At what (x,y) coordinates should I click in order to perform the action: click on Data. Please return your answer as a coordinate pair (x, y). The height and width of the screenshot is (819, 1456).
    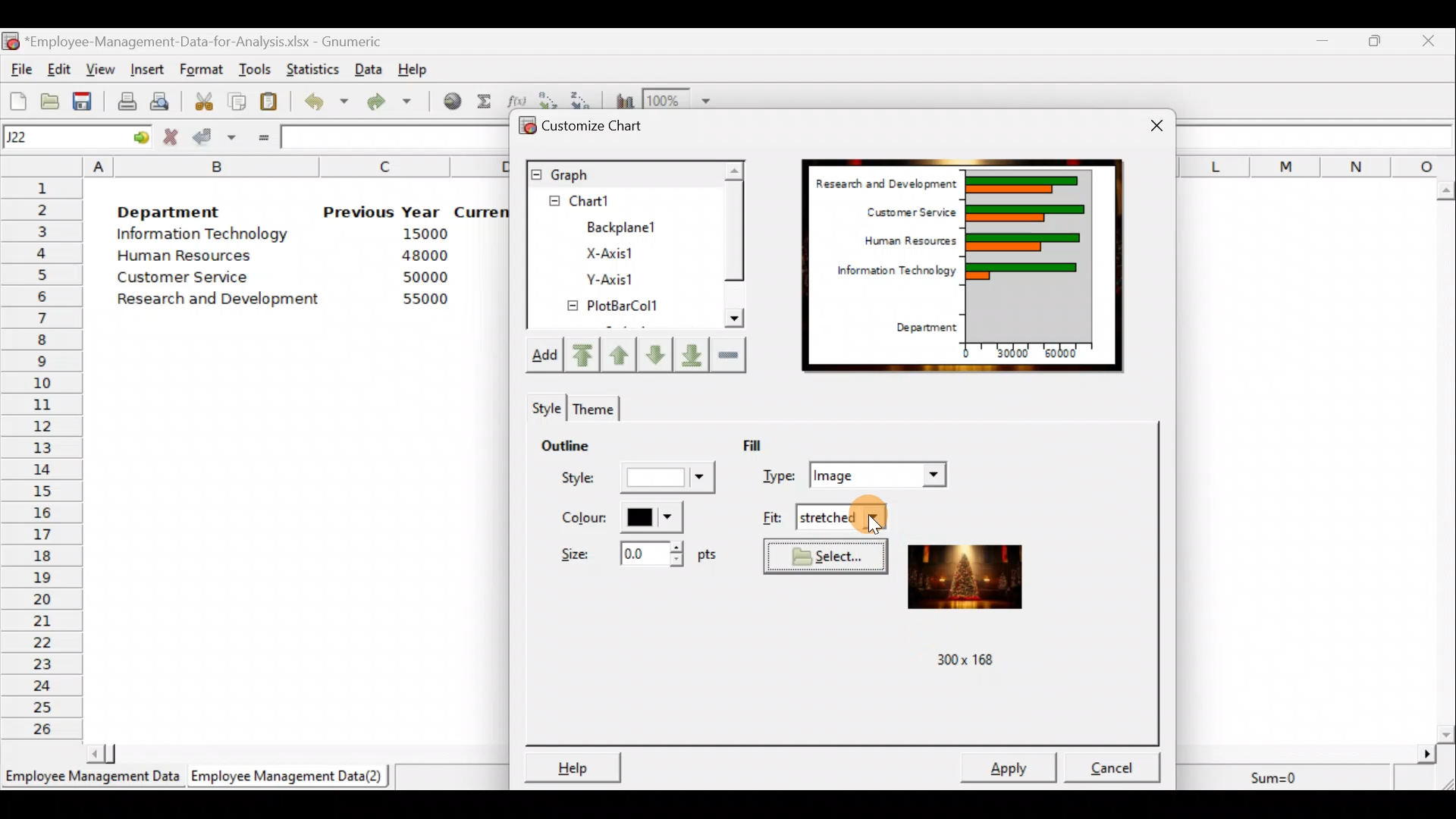
    Looking at the image, I should click on (369, 67).